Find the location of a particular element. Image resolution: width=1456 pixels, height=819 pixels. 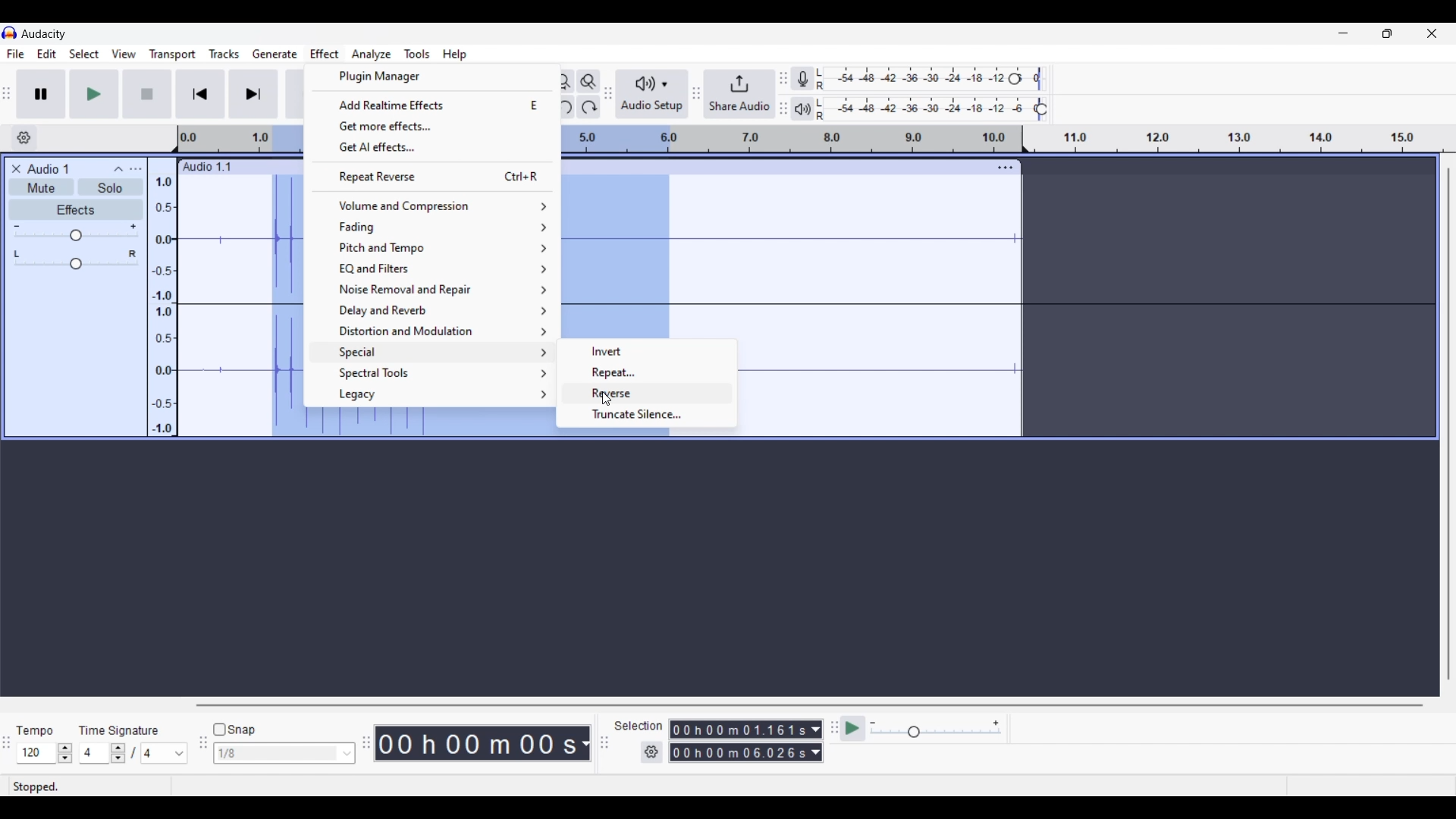

Analyze menu is located at coordinates (372, 55).